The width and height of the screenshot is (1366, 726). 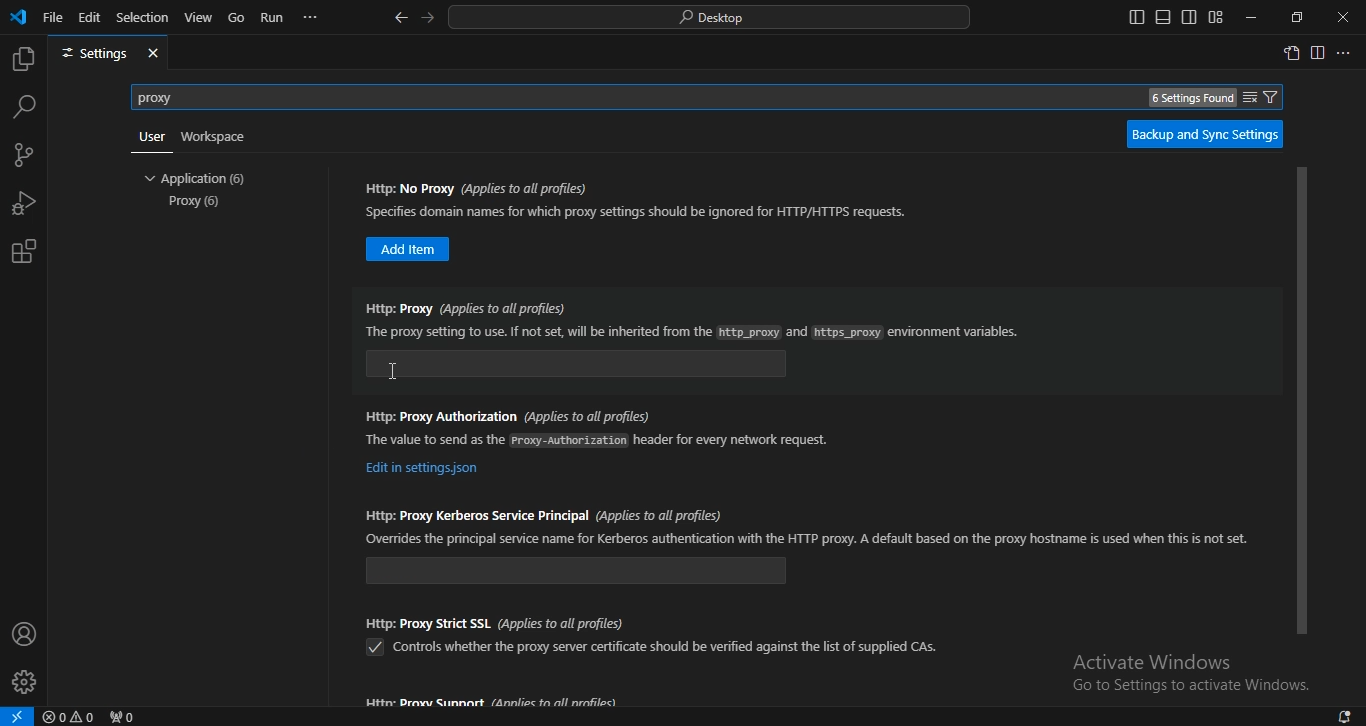 What do you see at coordinates (273, 18) in the screenshot?
I see `run` at bounding box center [273, 18].